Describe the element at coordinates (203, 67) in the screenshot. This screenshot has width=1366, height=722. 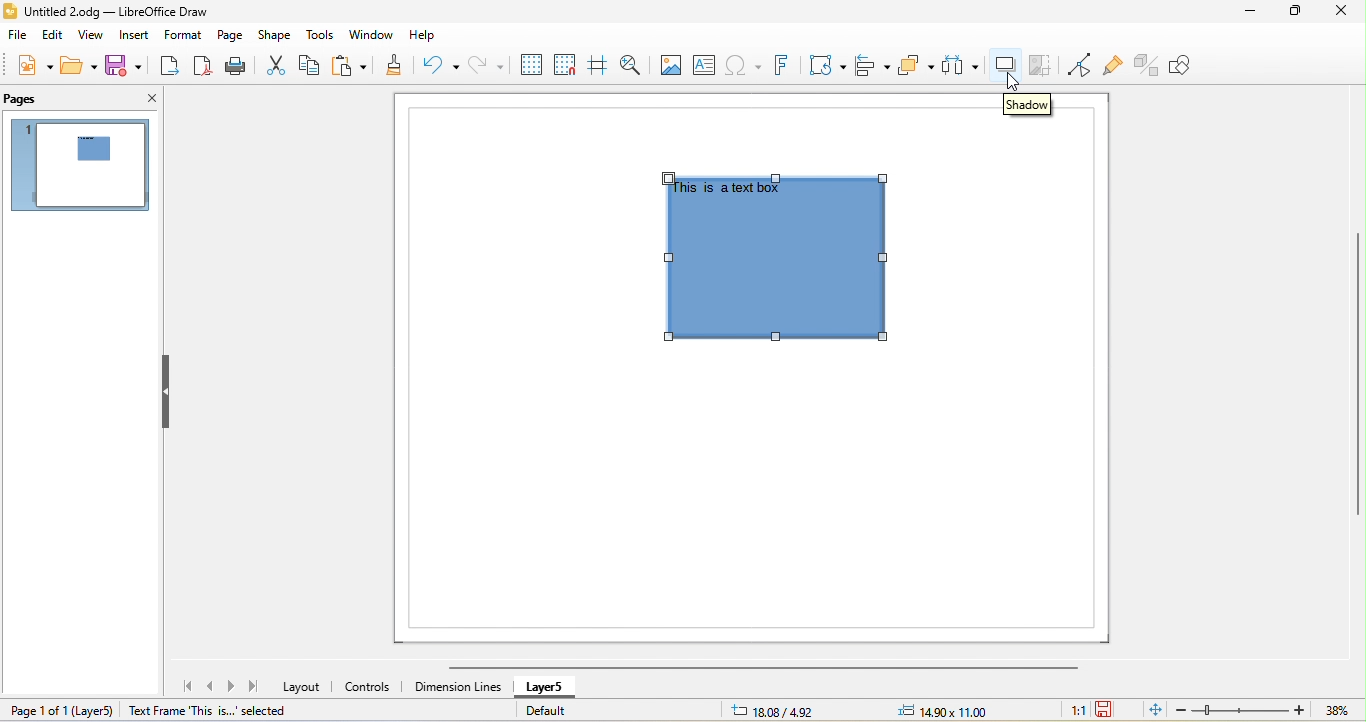
I see `export directly as pdf` at that location.